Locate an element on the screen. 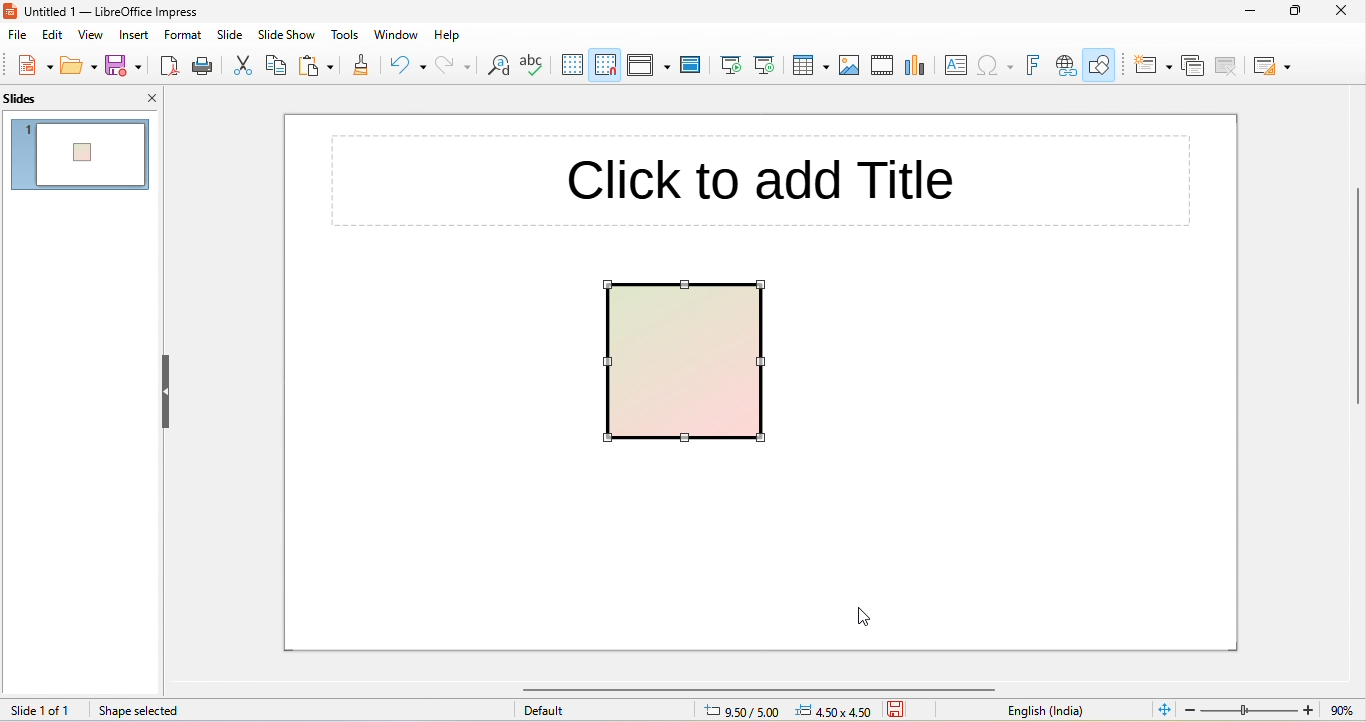  gradient applied is located at coordinates (687, 364).